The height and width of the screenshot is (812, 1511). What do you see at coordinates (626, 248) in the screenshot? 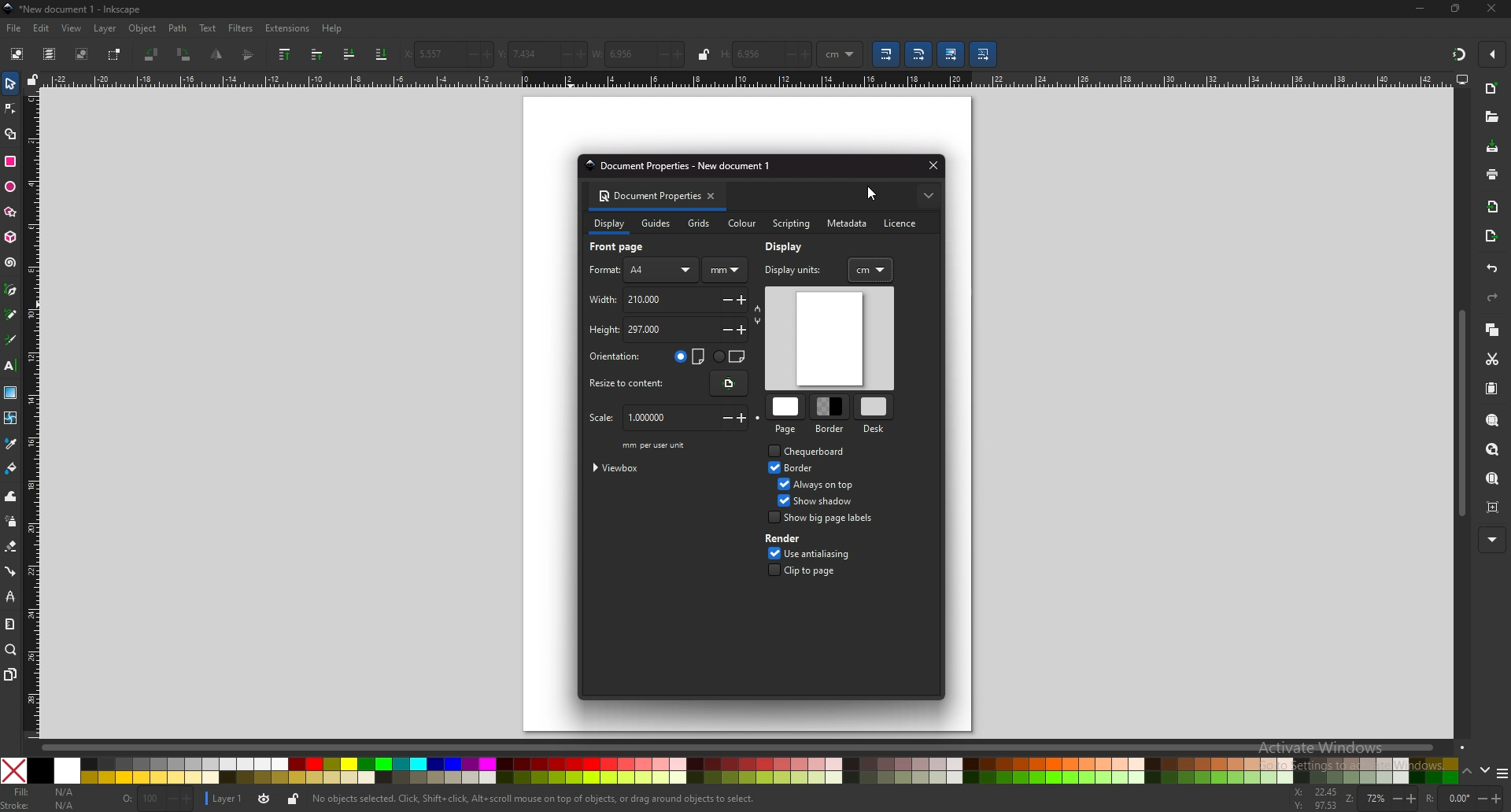
I see `front page` at bounding box center [626, 248].